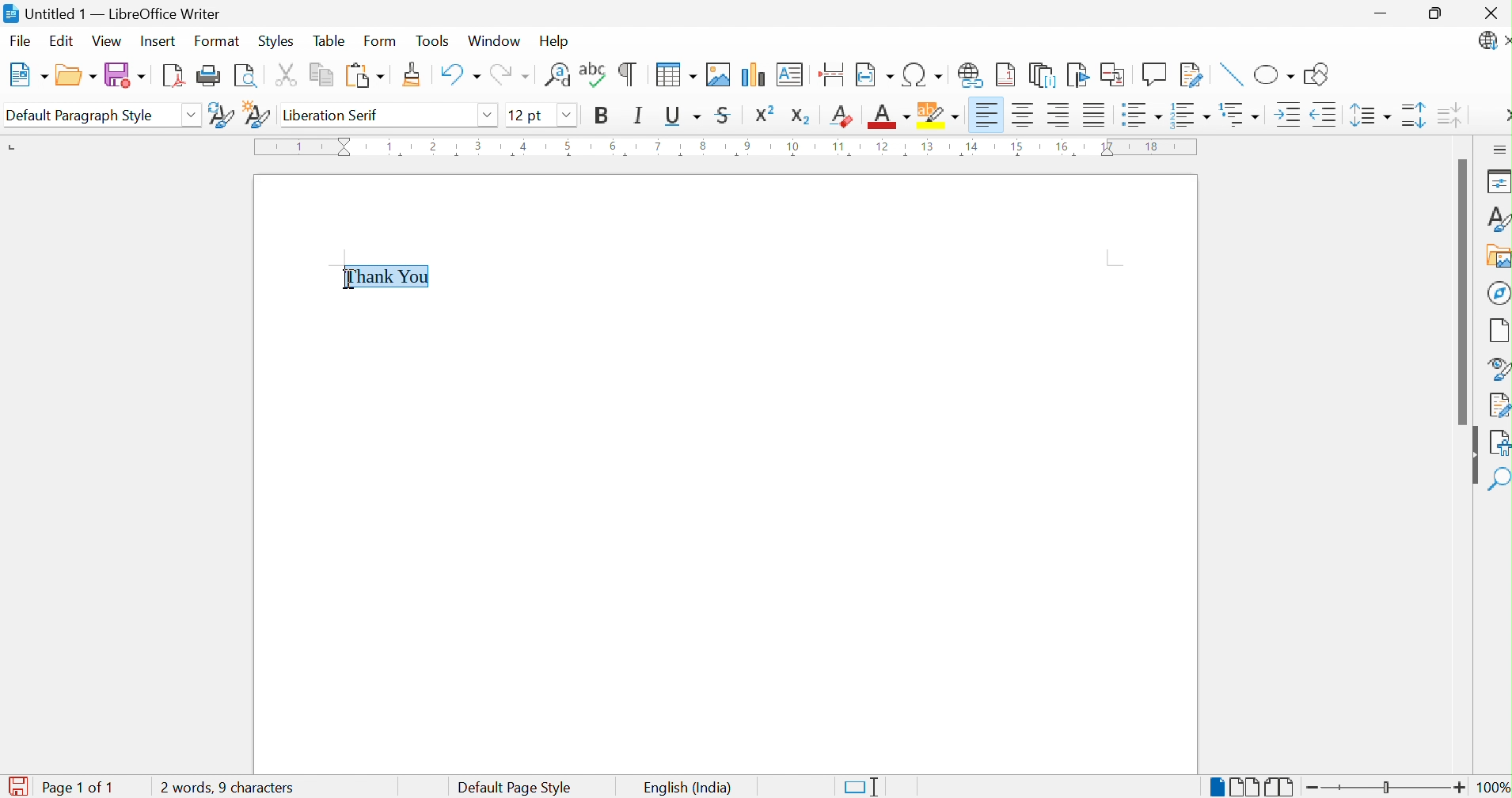 The image size is (1512, 798). I want to click on Print, so click(208, 75).